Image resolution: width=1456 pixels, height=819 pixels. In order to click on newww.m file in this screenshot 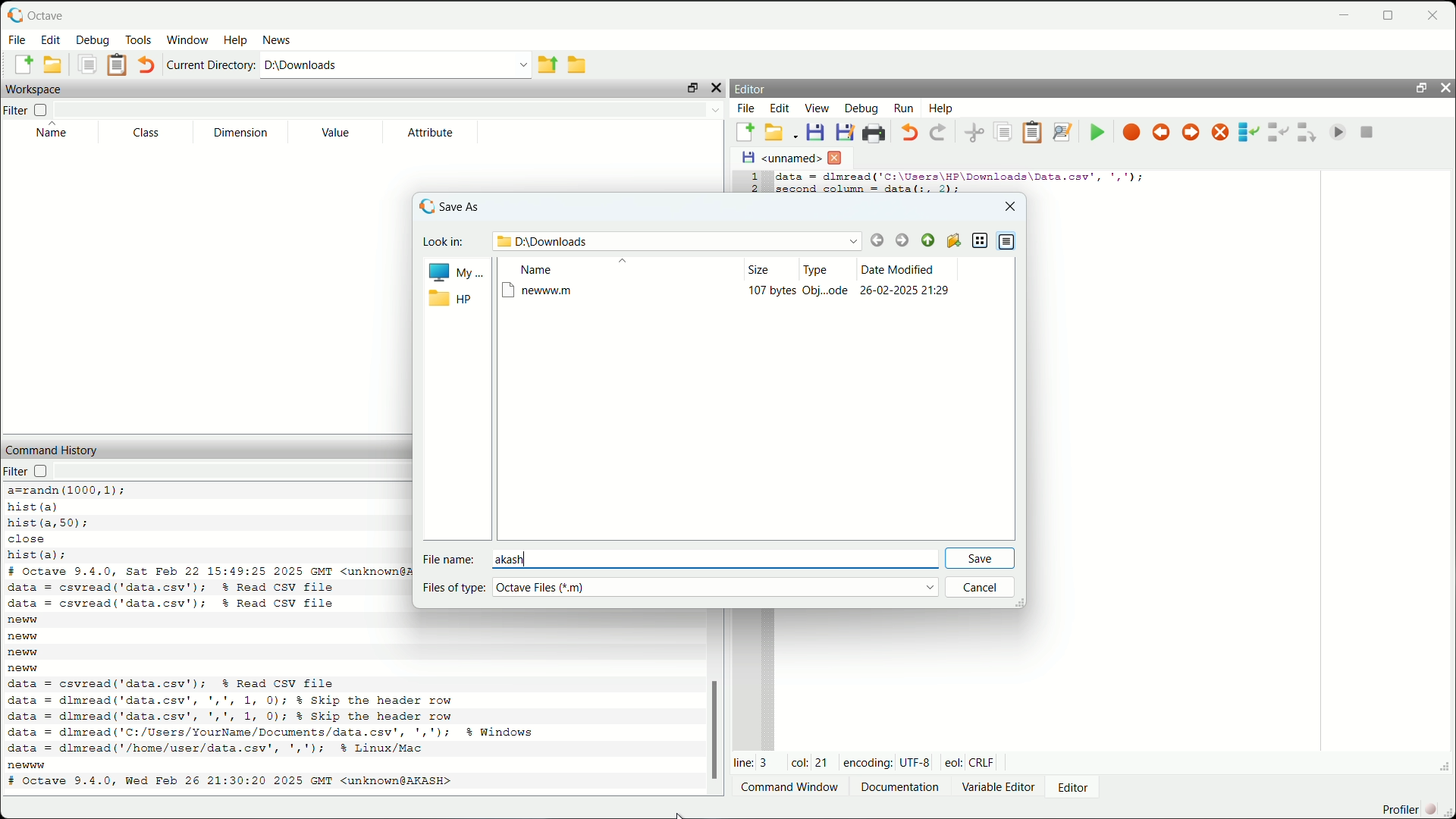, I will do `click(746, 293)`.